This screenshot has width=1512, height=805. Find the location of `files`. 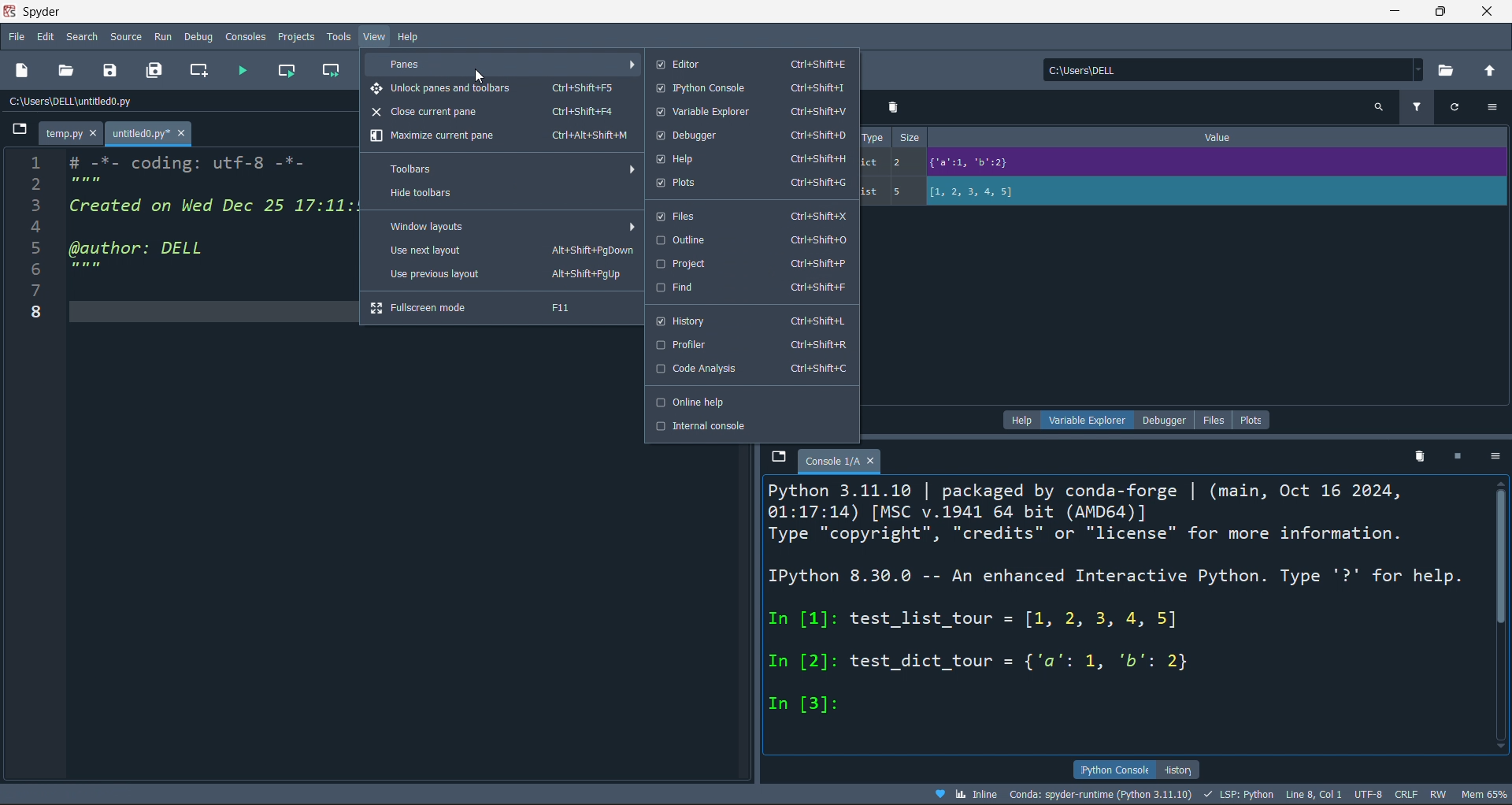

files is located at coordinates (751, 215).